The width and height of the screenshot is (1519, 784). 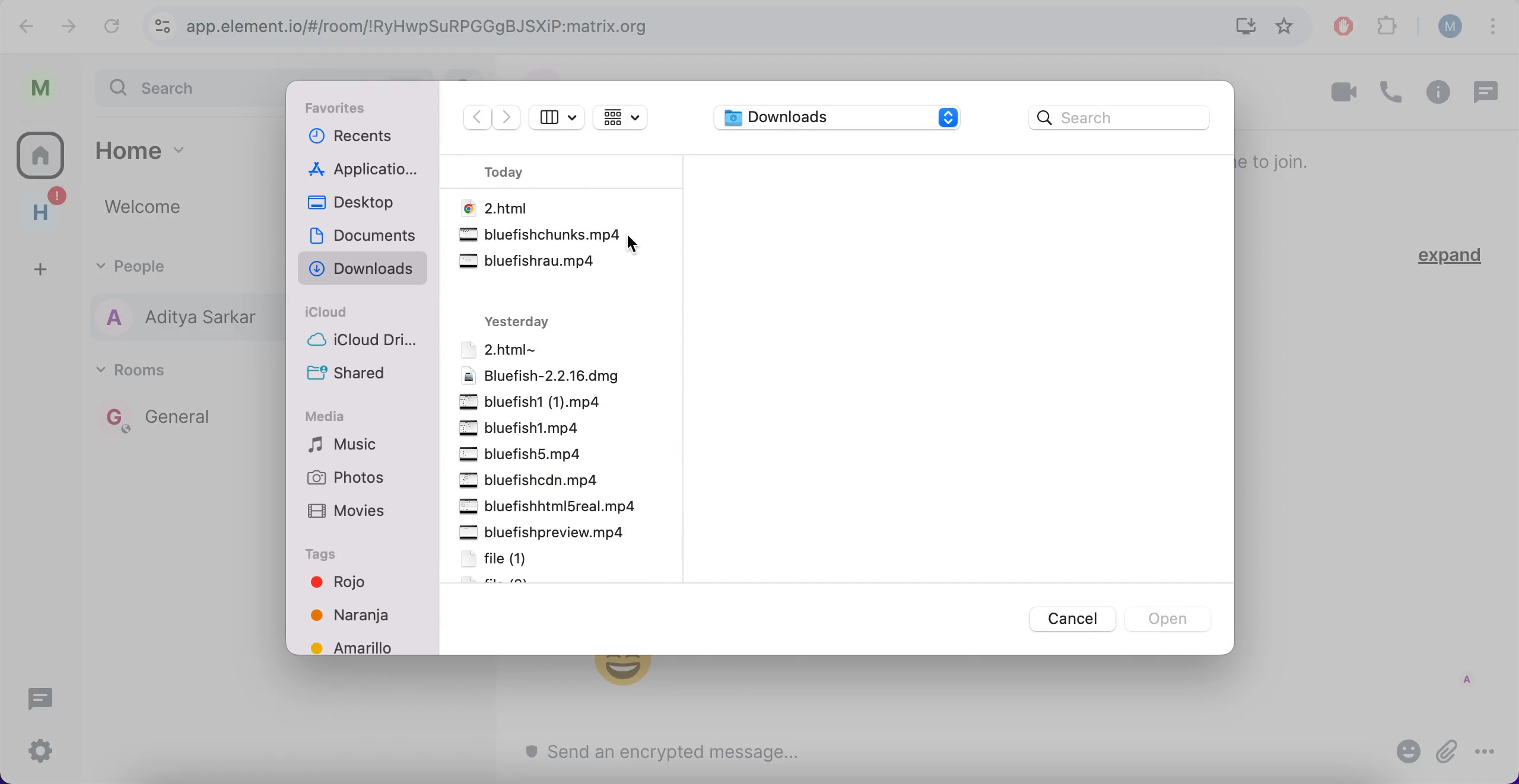 I want to click on bluefishrau.mp4, so click(x=523, y=262).